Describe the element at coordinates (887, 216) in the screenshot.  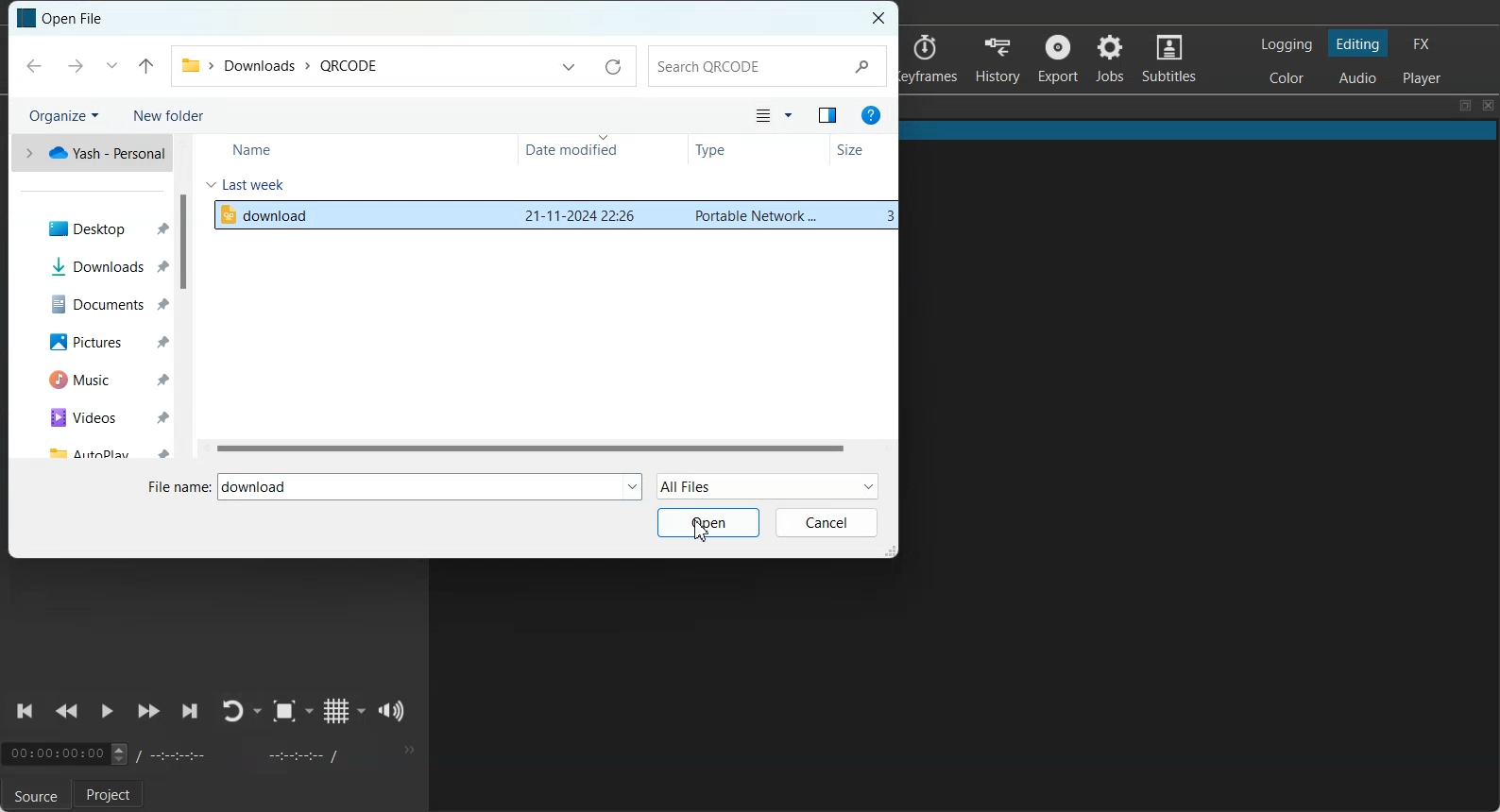
I see `size` at that location.